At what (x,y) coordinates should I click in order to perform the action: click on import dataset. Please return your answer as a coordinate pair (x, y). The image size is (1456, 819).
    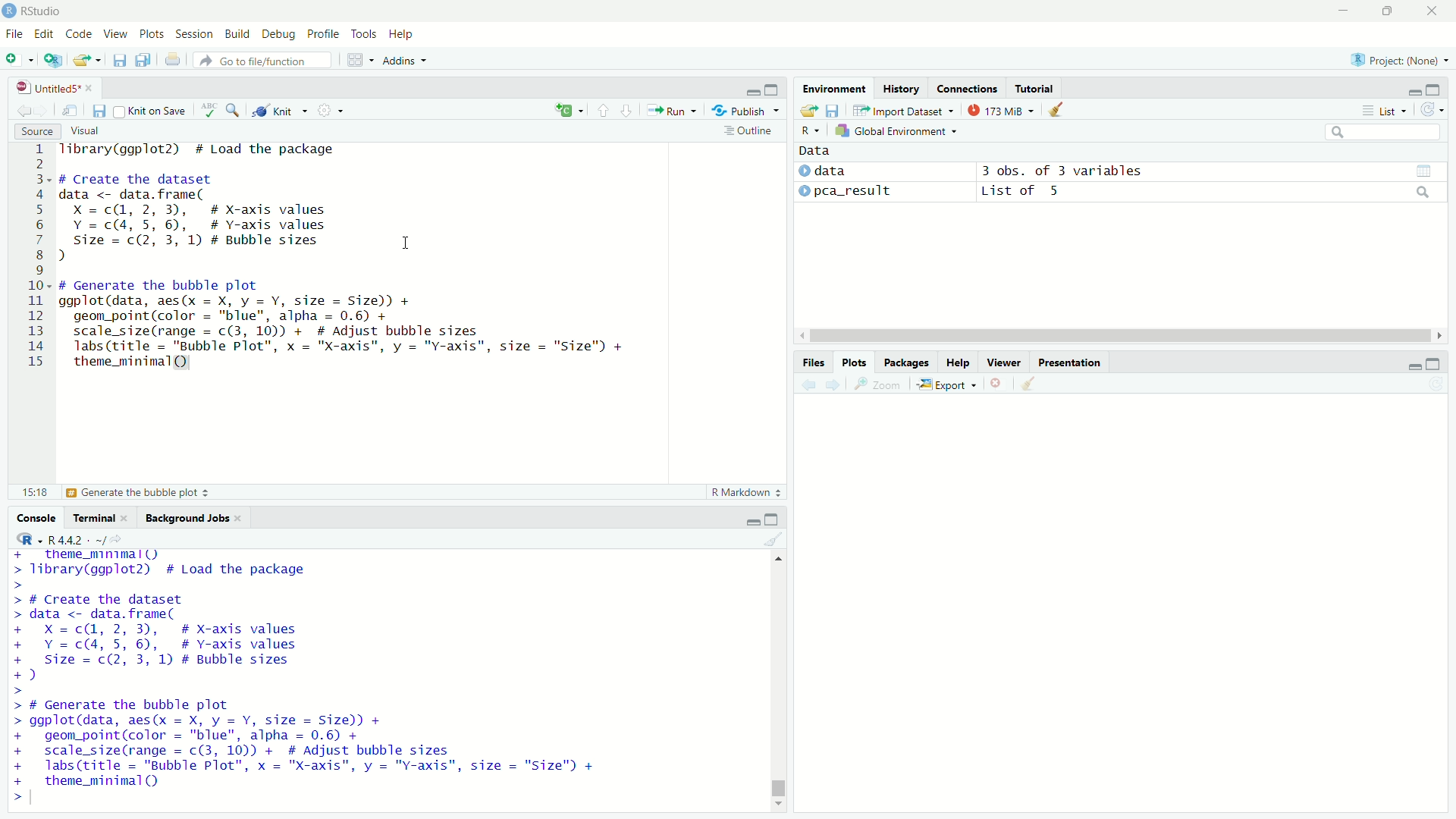
    Looking at the image, I should click on (902, 111).